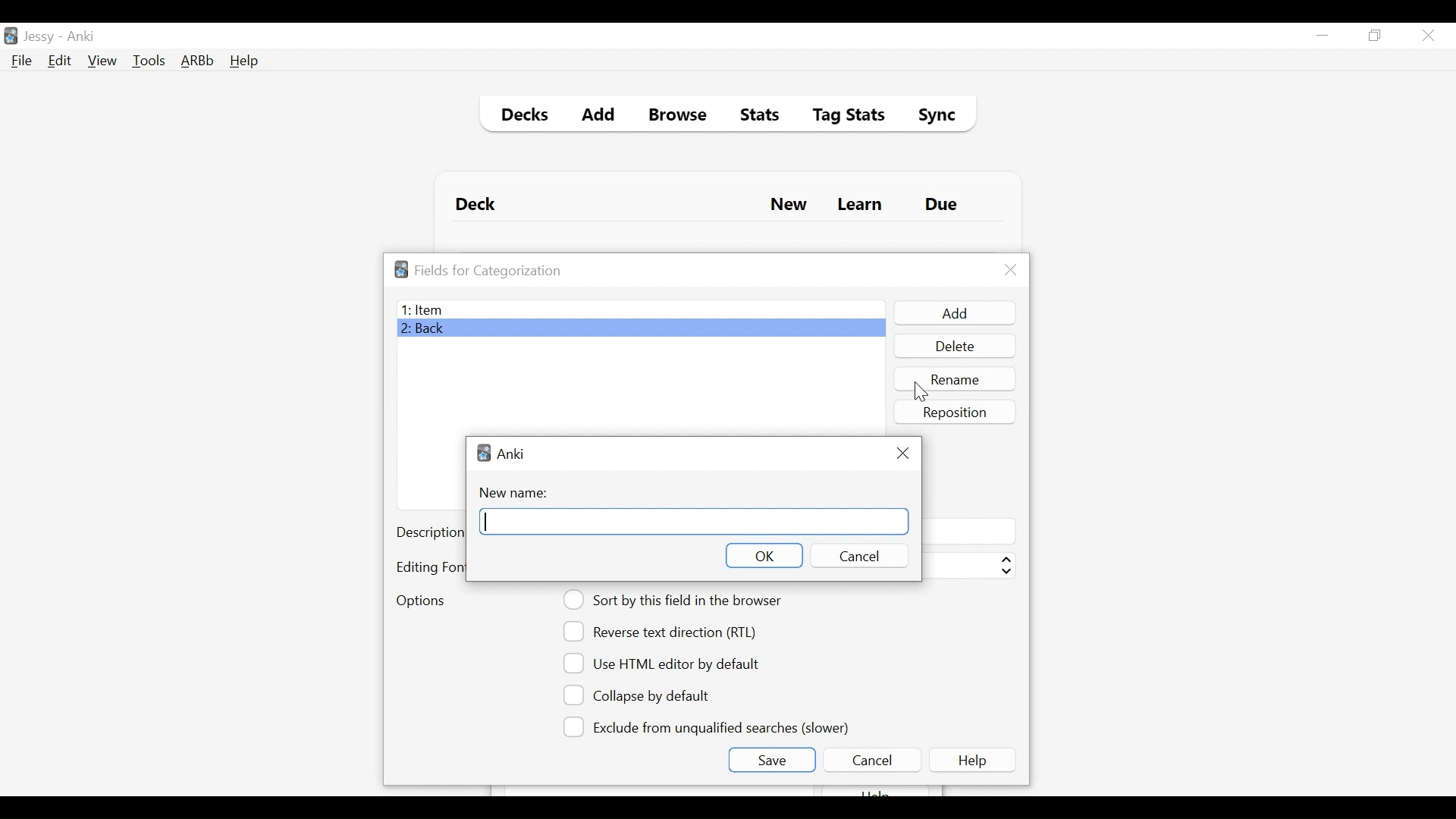 The image size is (1456, 819). I want to click on Description, so click(429, 534).